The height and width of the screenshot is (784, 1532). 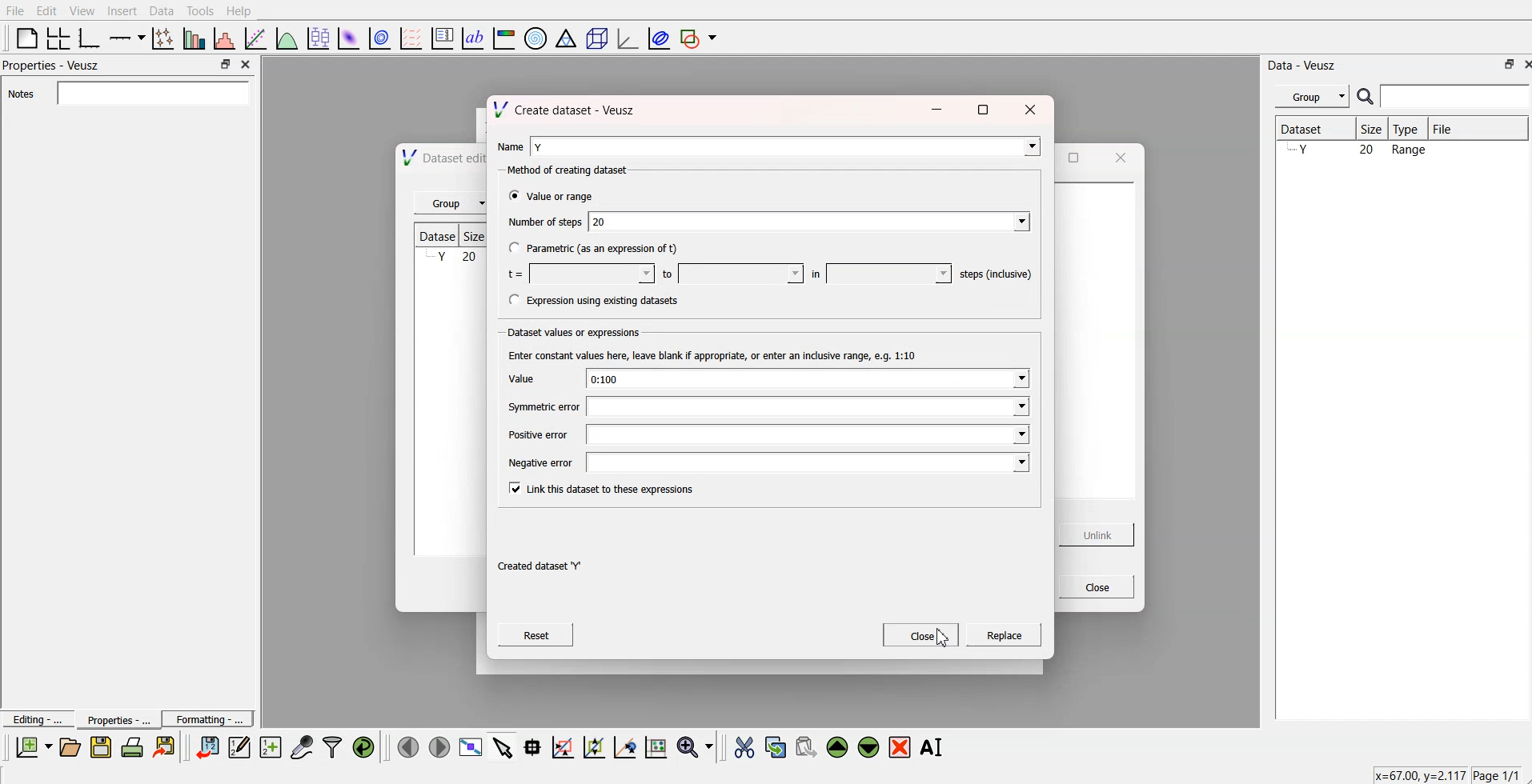 I want to click on add an axis to the plot, so click(x=127, y=37).